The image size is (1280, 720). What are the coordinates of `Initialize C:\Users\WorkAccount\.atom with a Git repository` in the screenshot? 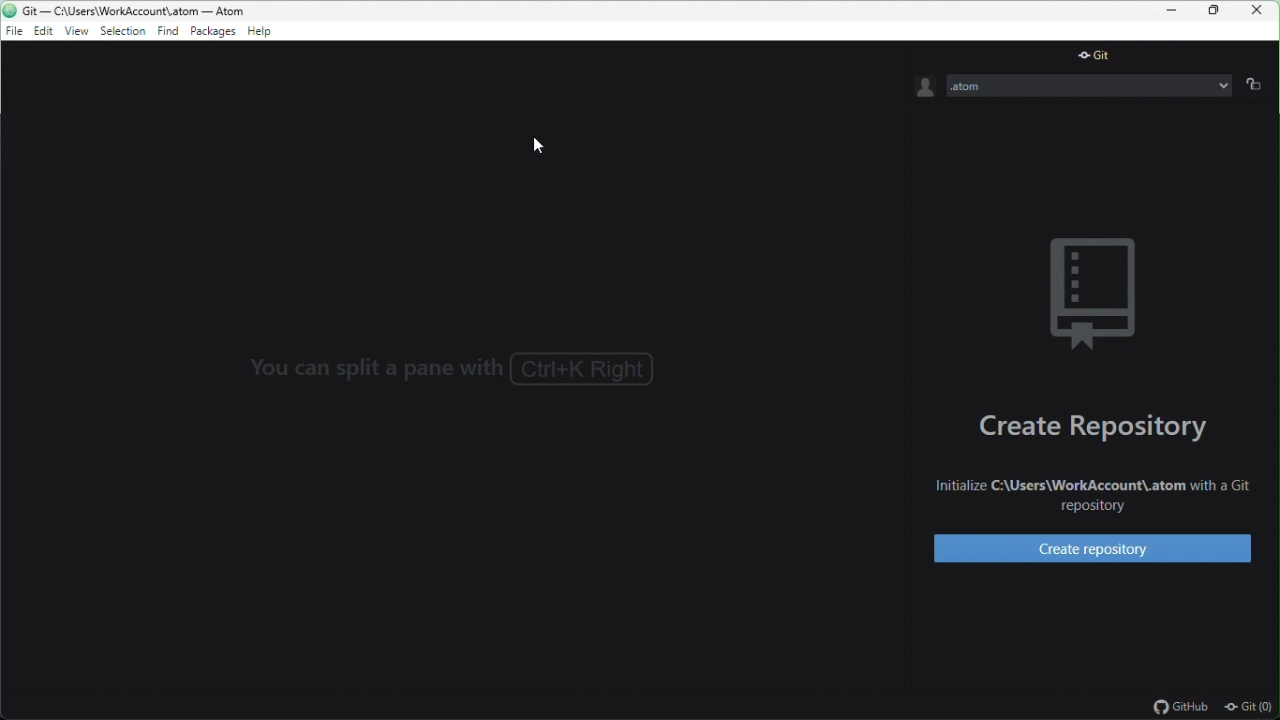 It's located at (1087, 490).